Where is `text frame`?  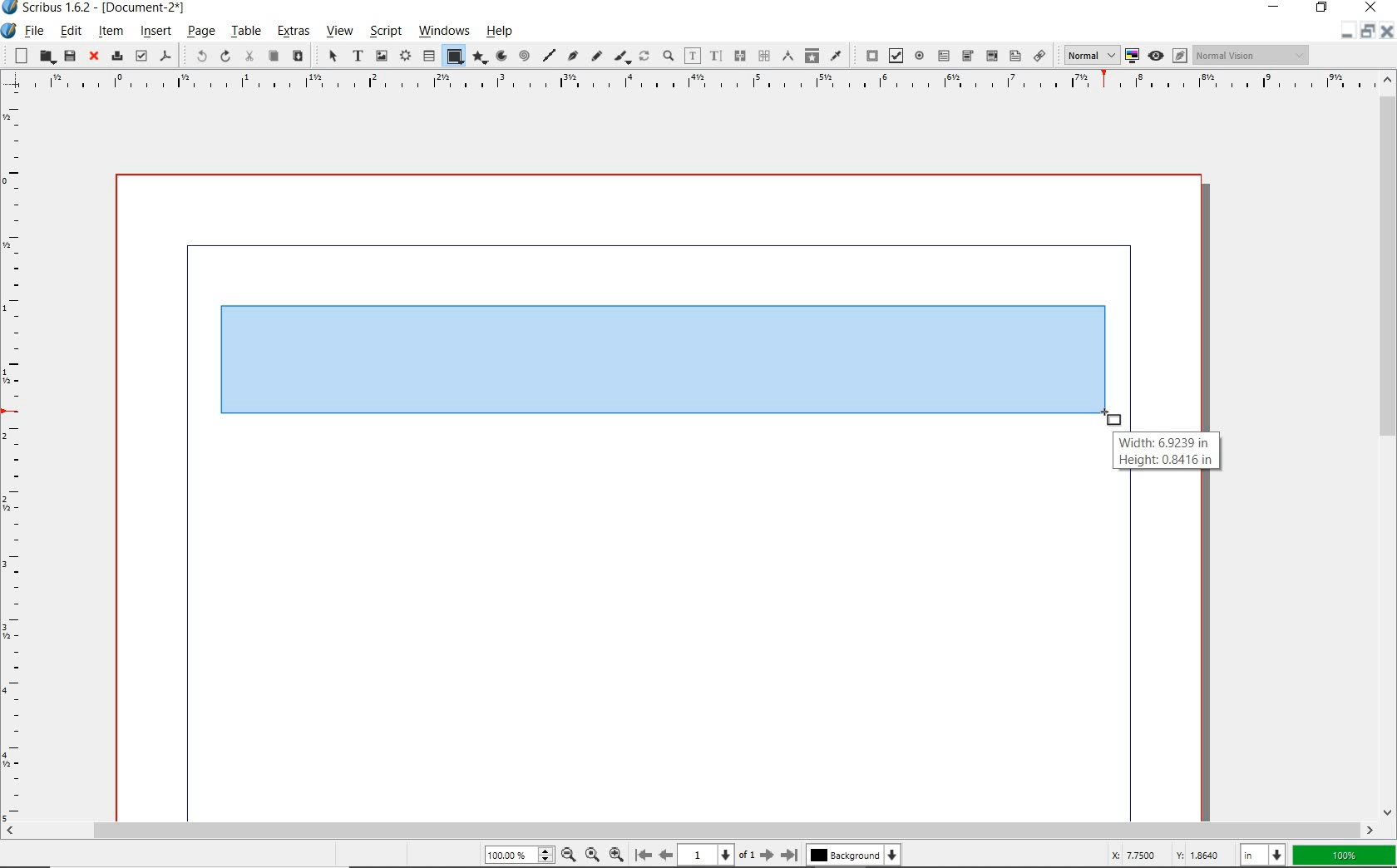
text frame is located at coordinates (358, 56).